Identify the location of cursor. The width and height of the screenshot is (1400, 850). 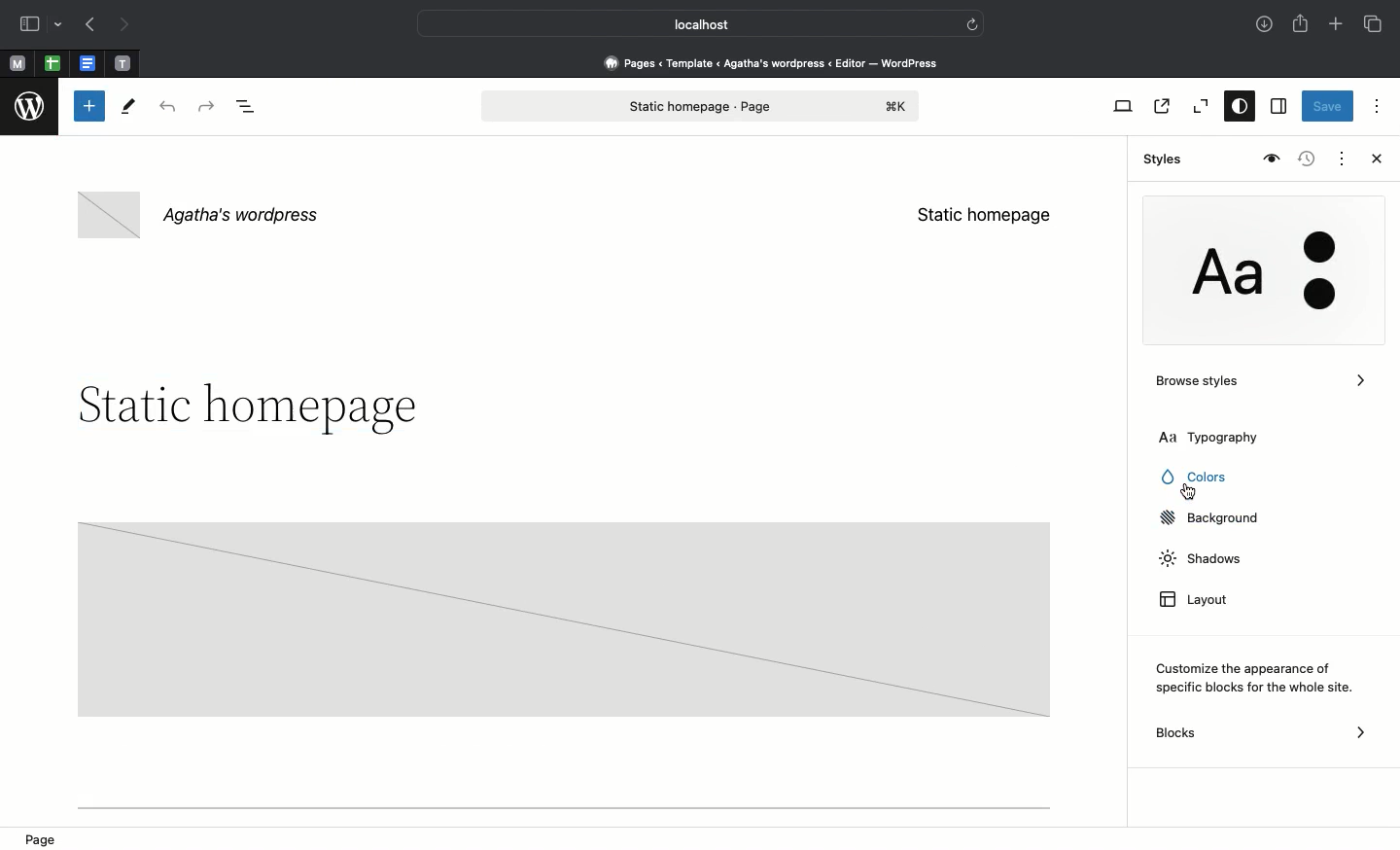
(1189, 492).